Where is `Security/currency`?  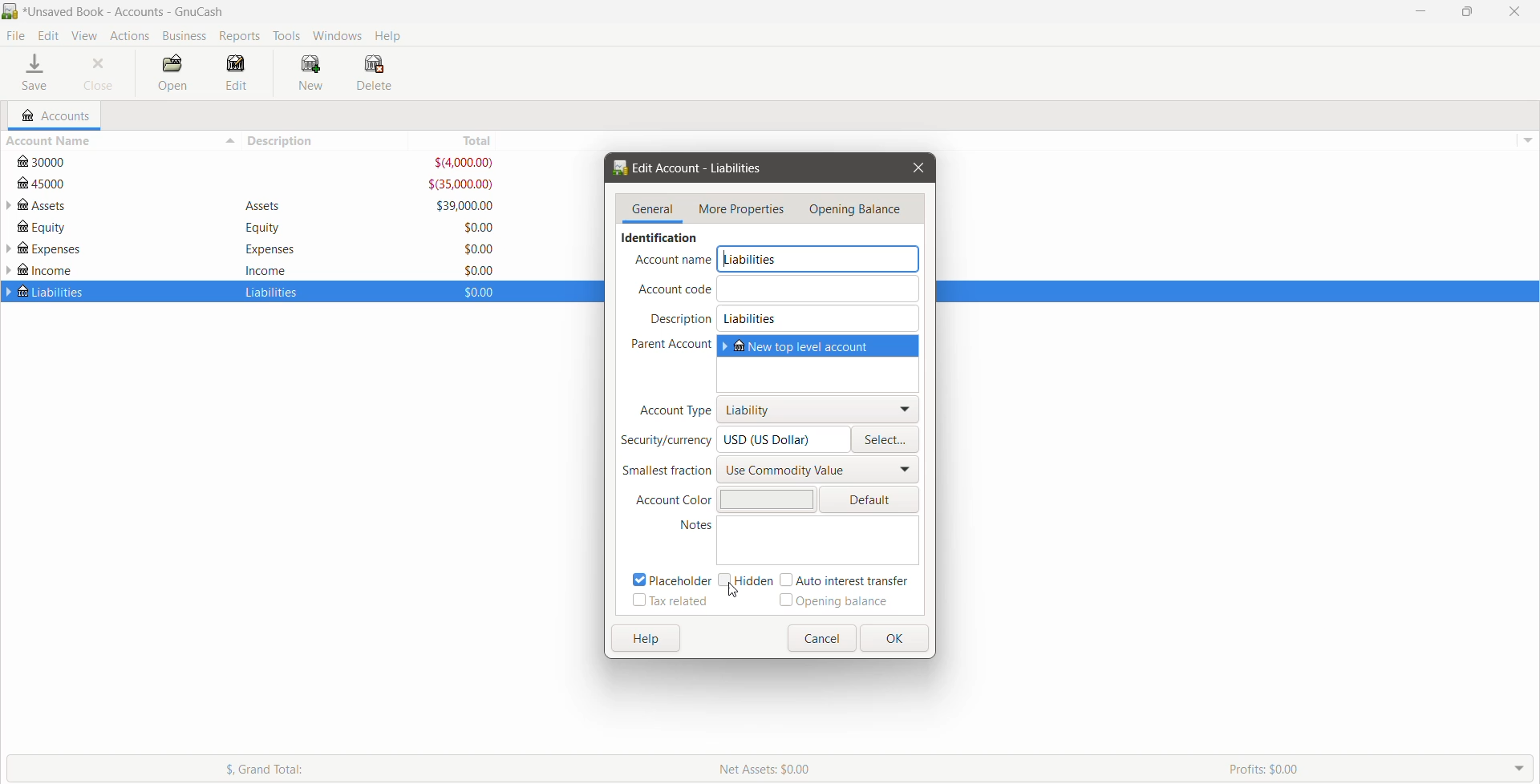 Security/currency is located at coordinates (666, 441).